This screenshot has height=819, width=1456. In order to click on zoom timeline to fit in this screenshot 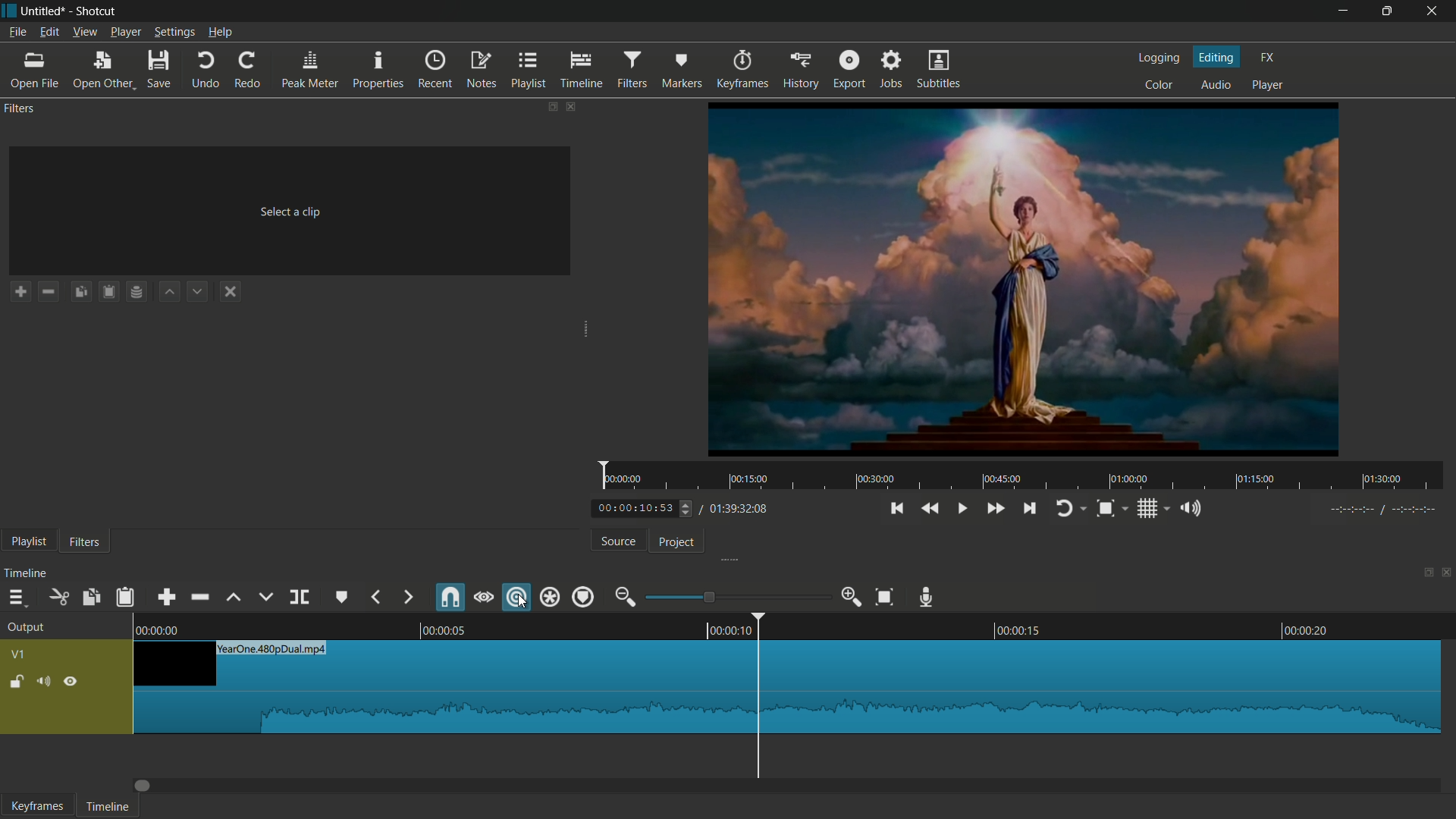, I will do `click(883, 597)`.